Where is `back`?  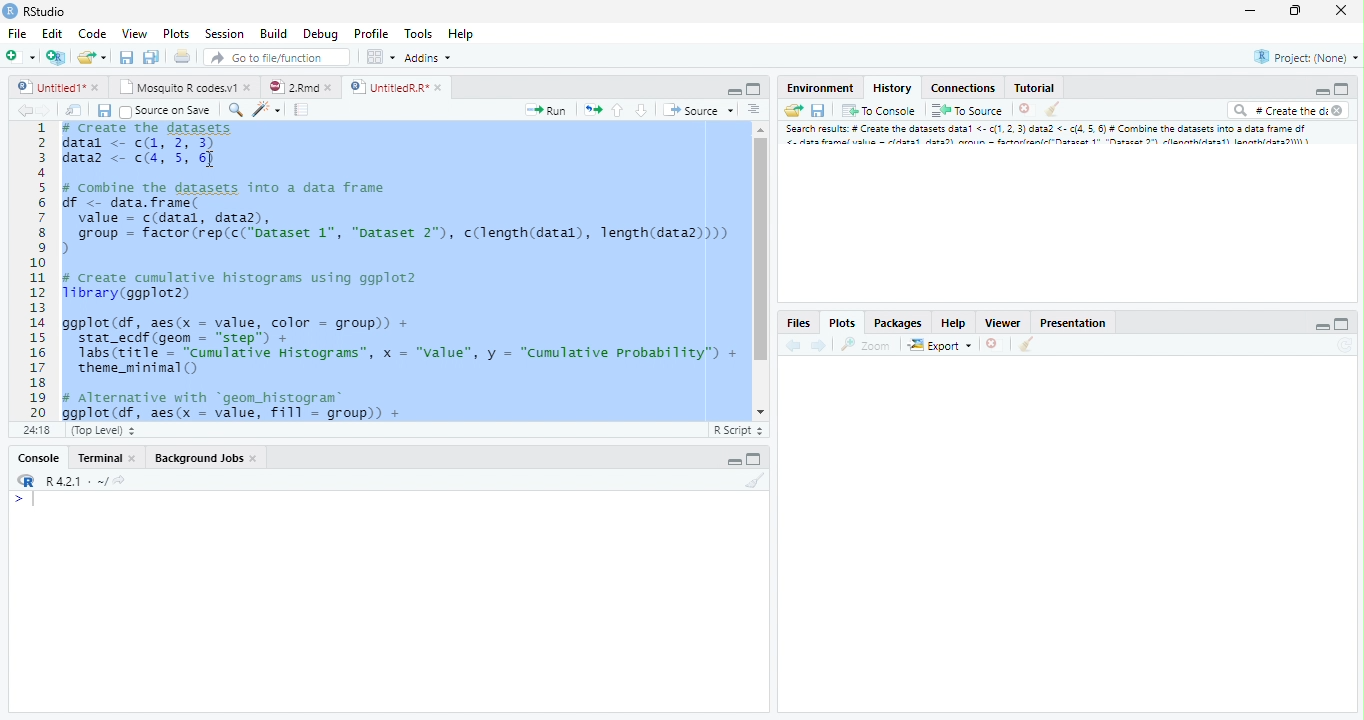
back is located at coordinates (794, 347).